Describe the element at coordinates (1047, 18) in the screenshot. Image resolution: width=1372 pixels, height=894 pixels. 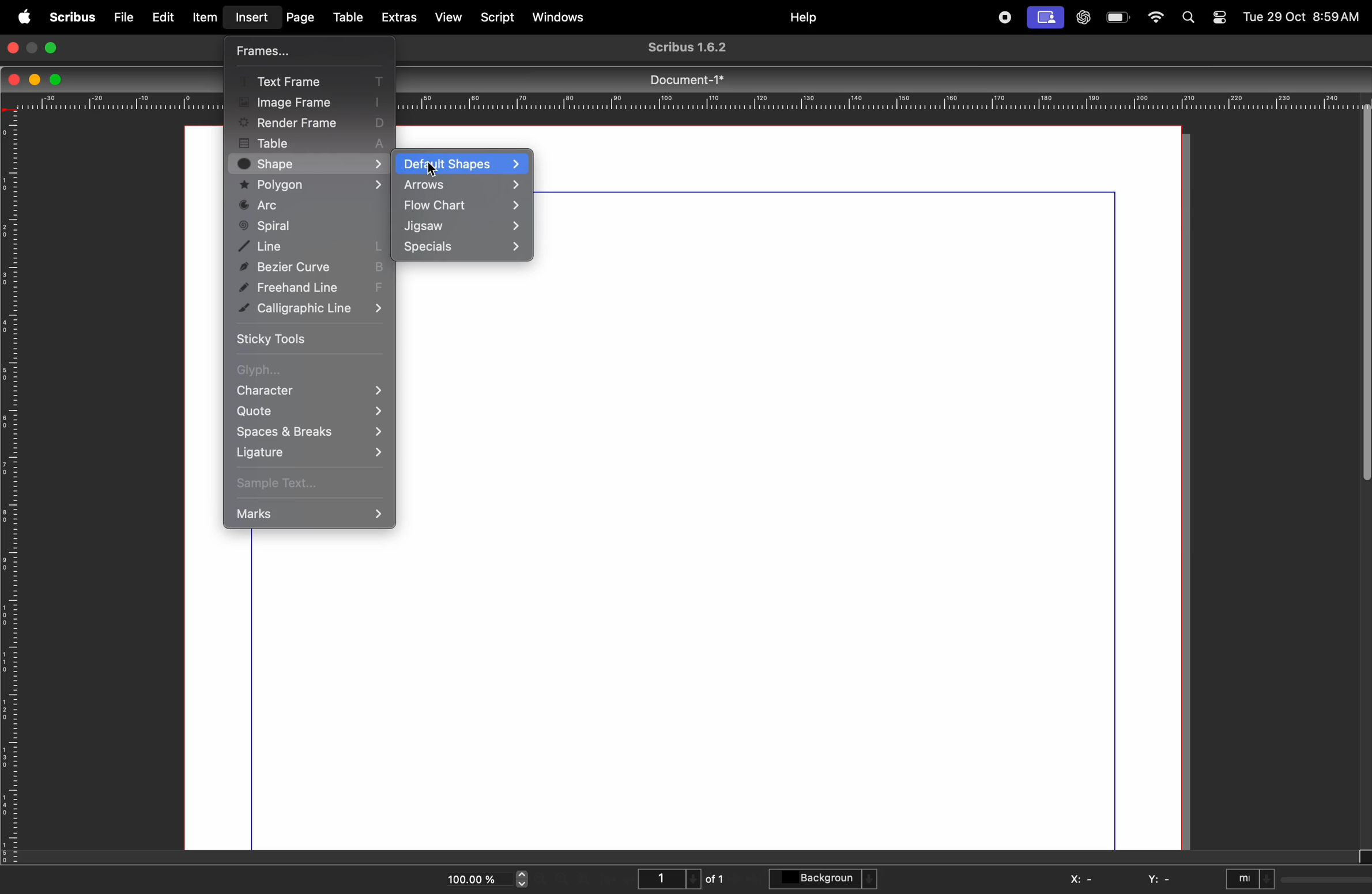
I see `cast` at that location.